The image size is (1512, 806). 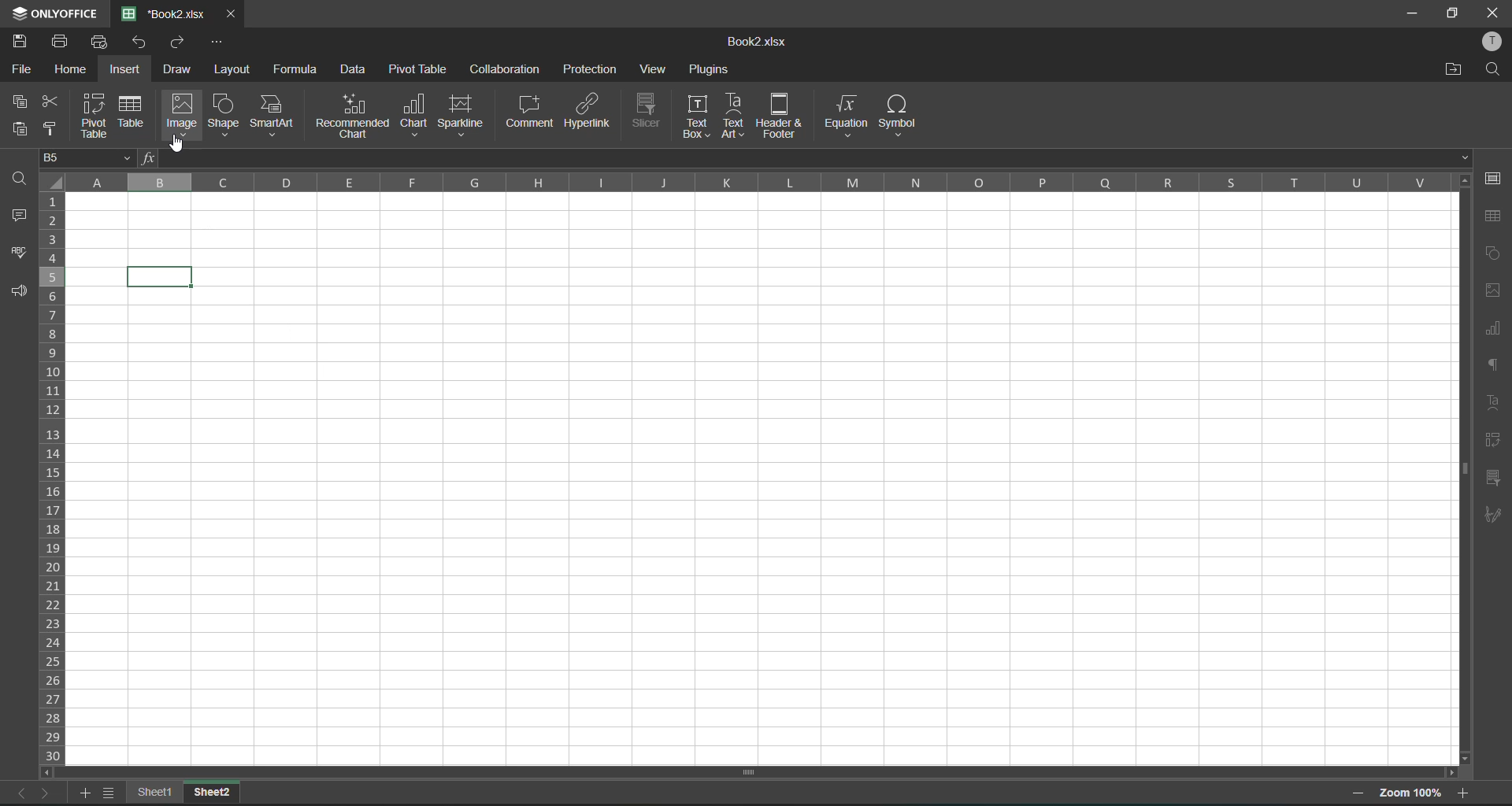 What do you see at coordinates (1451, 15) in the screenshot?
I see `maximize` at bounding box center [1451, 15].